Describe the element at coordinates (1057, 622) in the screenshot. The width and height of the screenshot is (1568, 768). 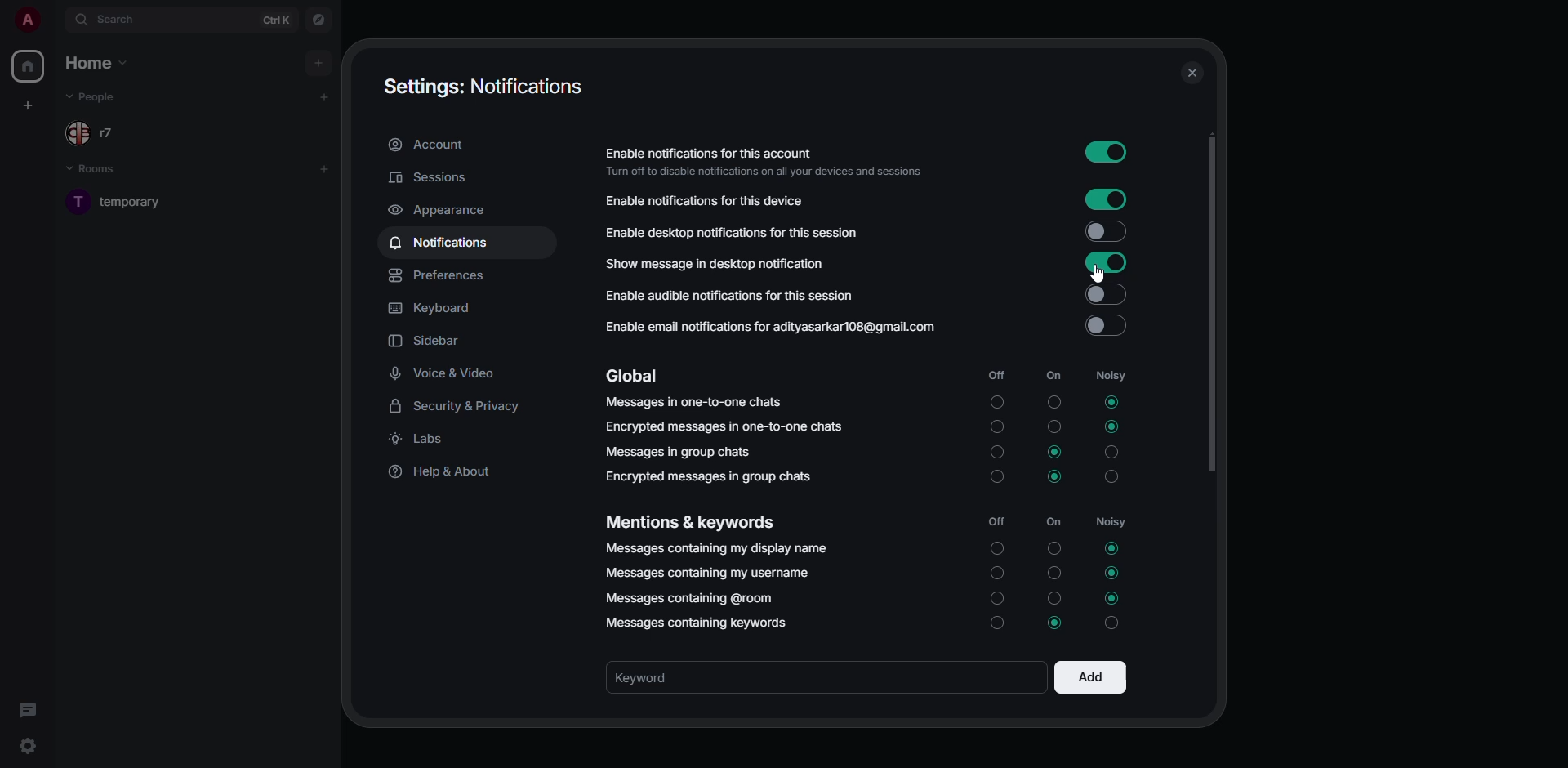
I see `selected` at that location.